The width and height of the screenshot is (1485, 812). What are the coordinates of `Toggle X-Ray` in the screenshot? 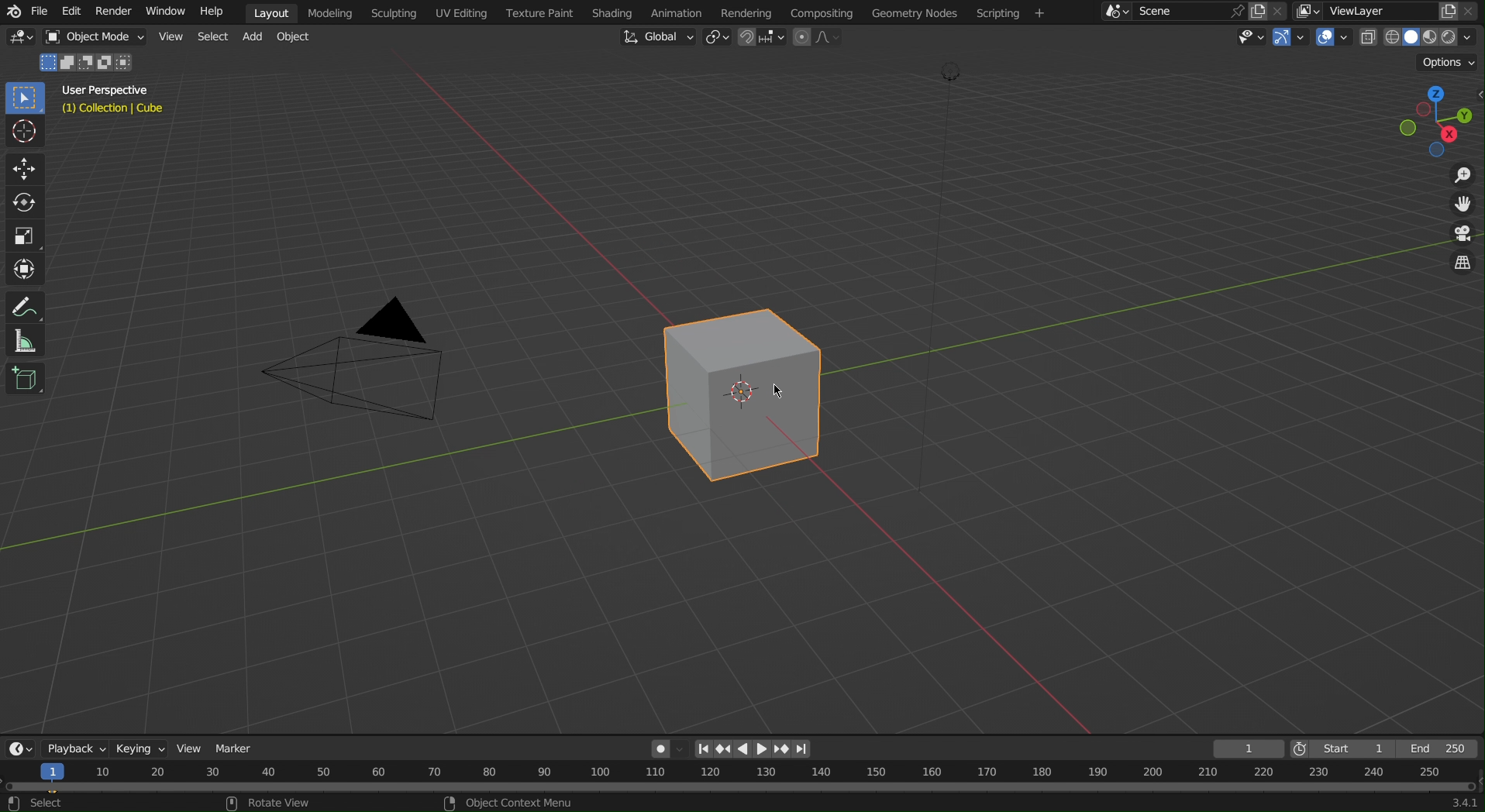 It's located at (1366, 41).